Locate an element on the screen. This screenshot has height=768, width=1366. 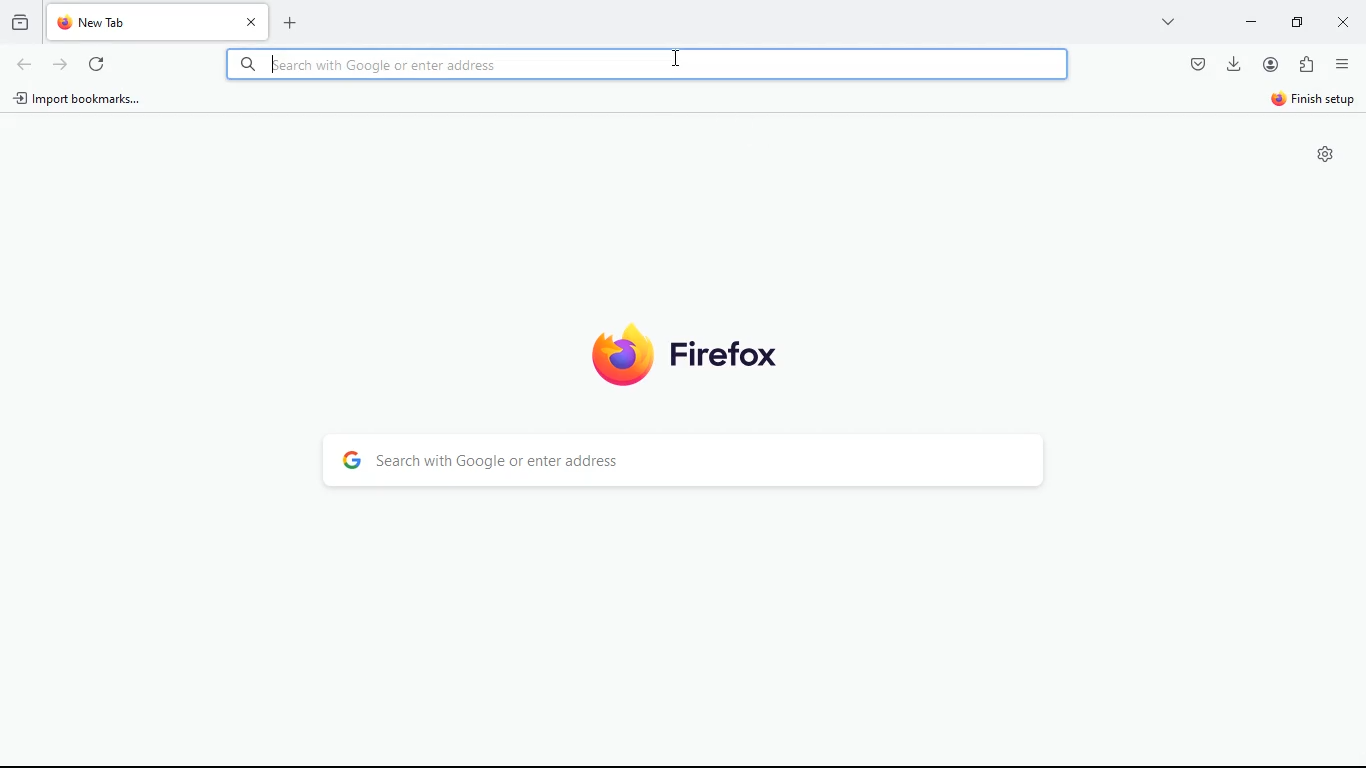
tab is located at coordinates (158, 22).